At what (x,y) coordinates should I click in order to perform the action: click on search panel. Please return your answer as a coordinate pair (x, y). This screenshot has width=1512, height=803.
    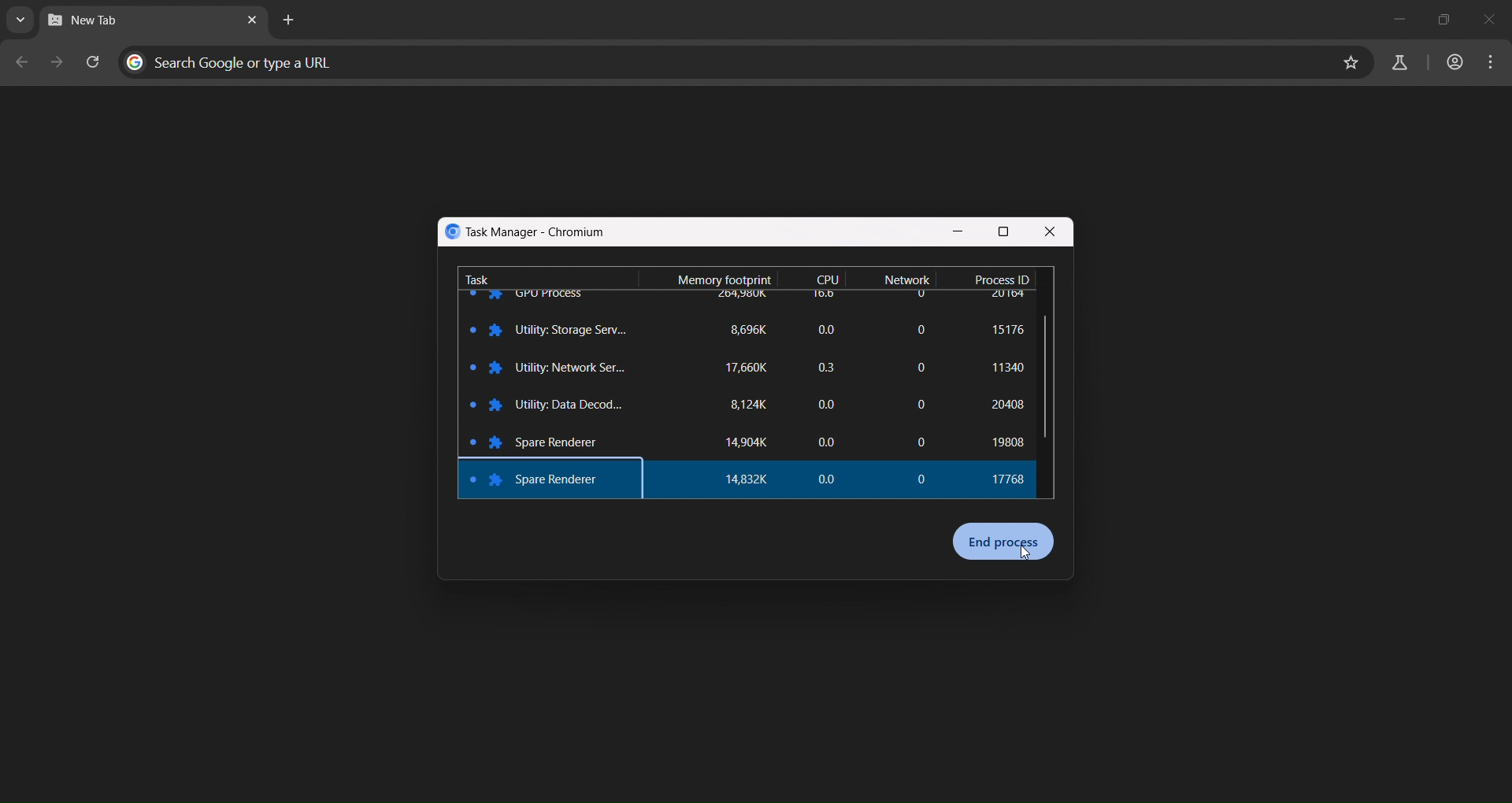
    Looking at the image, I should click on (235, 61).